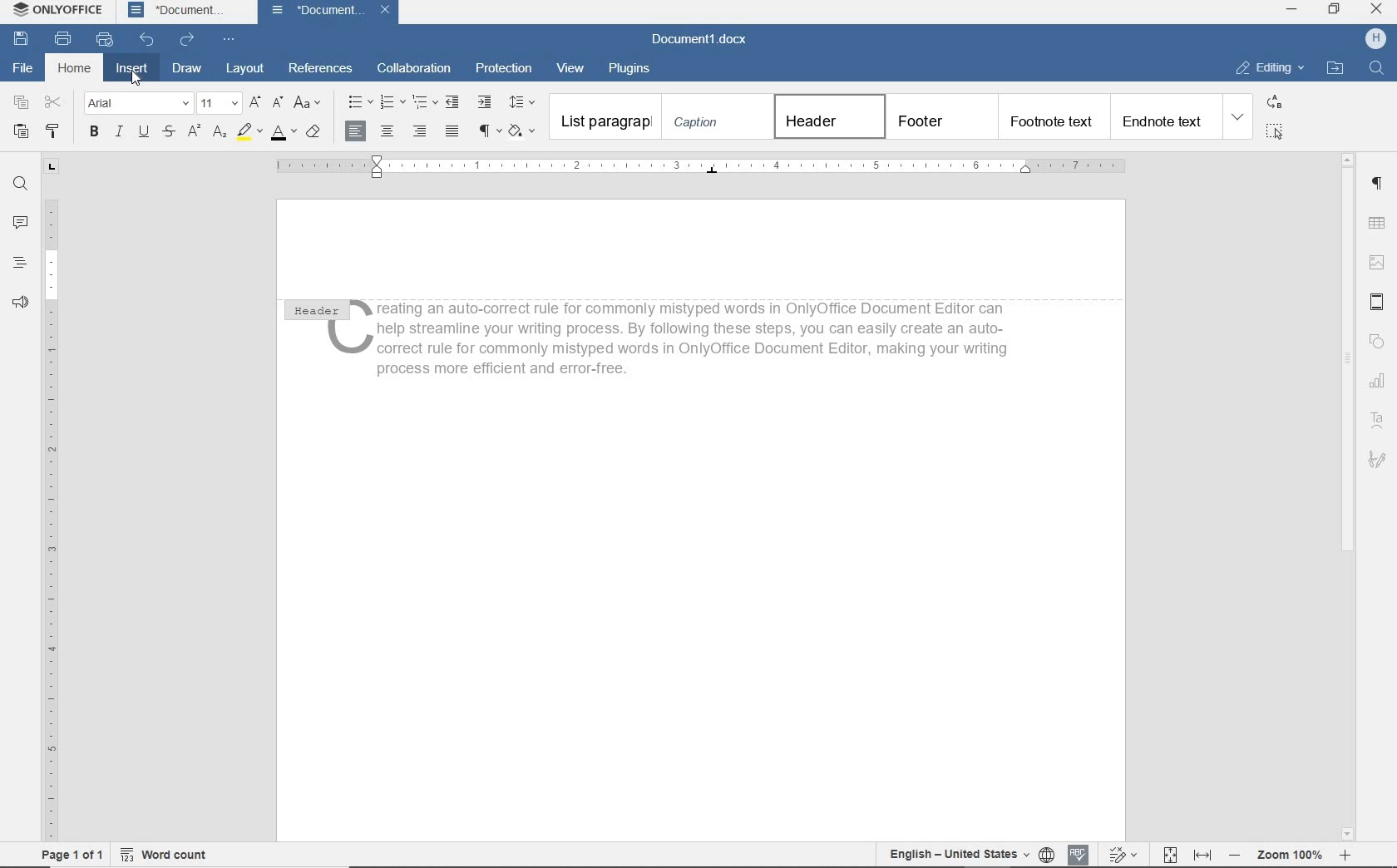 Image resolution: width=1397 pixels, height=868 pixels. Describe the element at coordinates (960, 855) in the screenshot. I see `English — United States + ({[)` at that location.